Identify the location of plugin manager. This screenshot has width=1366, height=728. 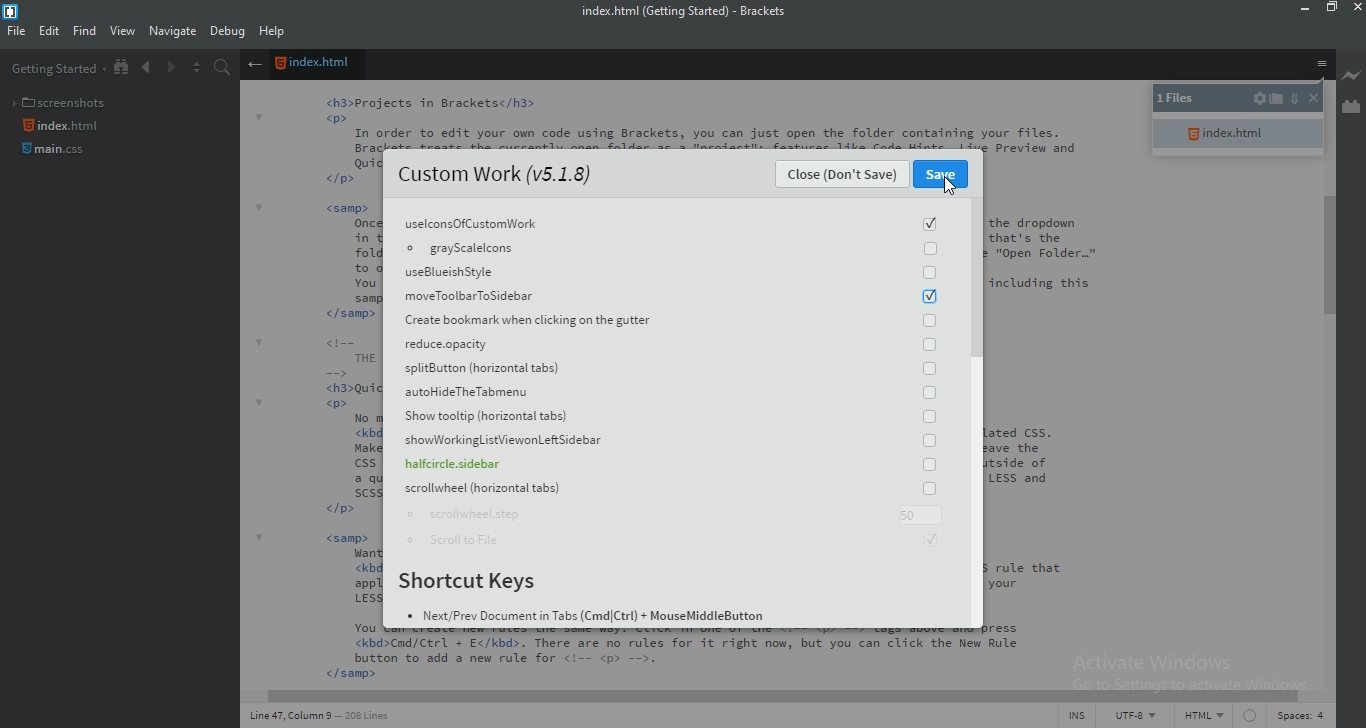
(47, 713).